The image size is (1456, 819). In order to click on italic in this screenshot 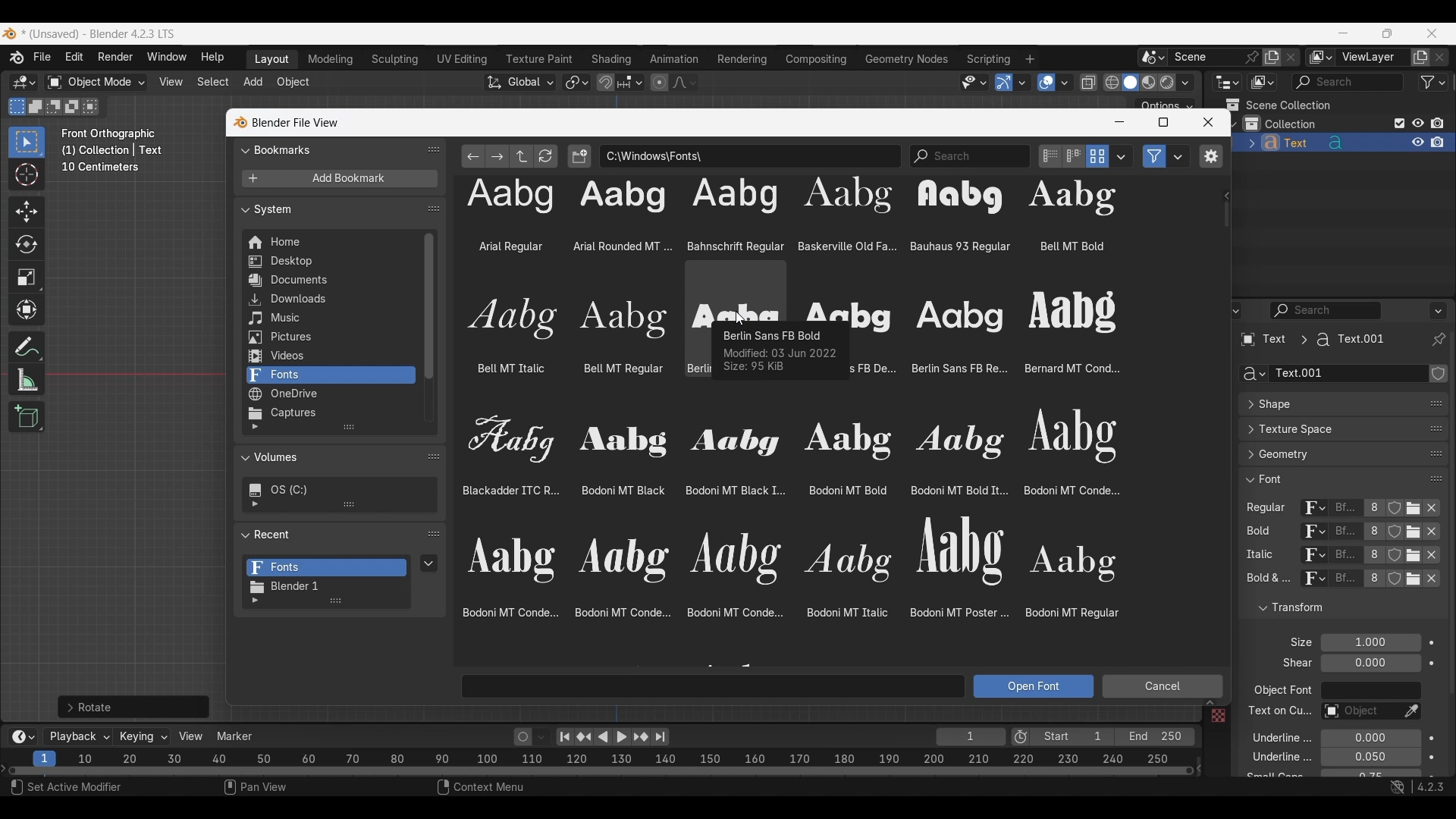, I will do `click(1257, 555)`.